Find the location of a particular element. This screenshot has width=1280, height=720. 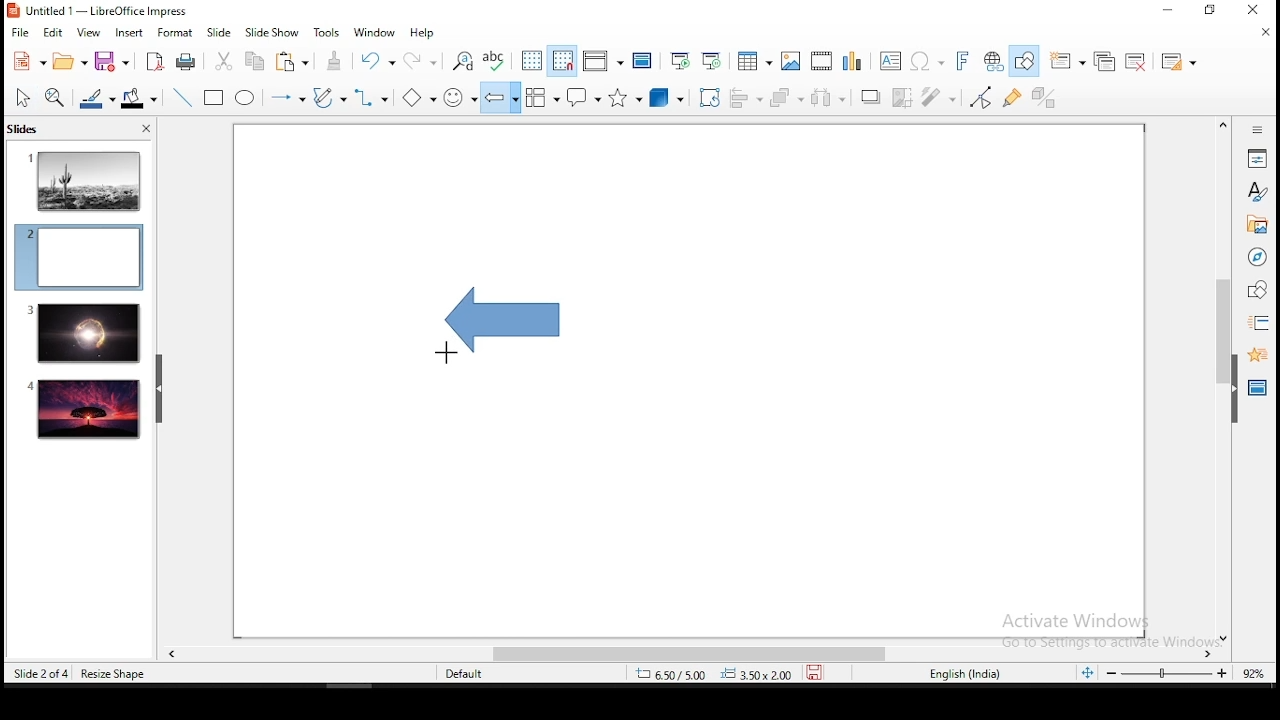

undo is located at coordinates (374, 61).